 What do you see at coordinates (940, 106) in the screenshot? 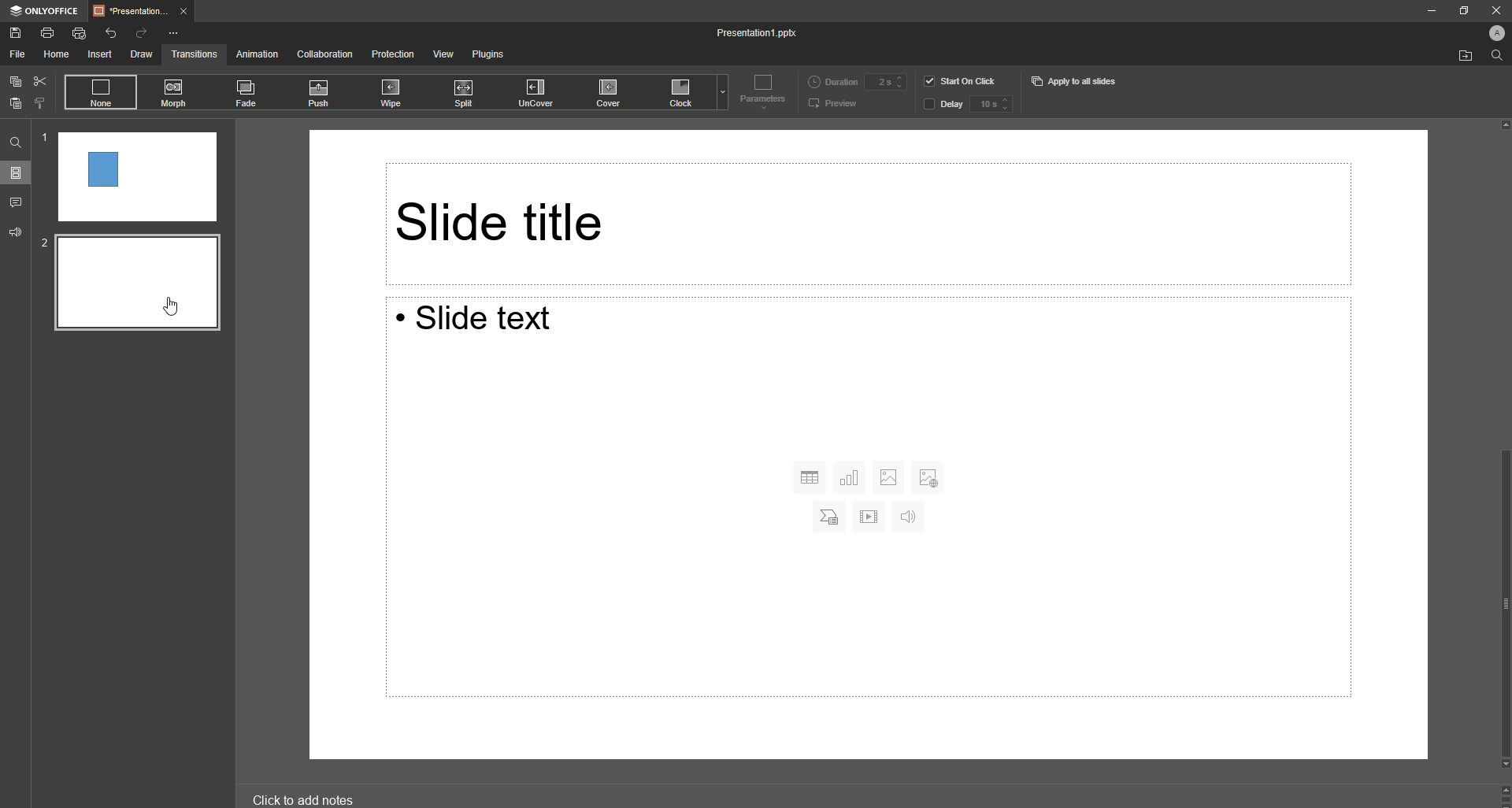
I see `Delay button` at bounding box center [940, 106].